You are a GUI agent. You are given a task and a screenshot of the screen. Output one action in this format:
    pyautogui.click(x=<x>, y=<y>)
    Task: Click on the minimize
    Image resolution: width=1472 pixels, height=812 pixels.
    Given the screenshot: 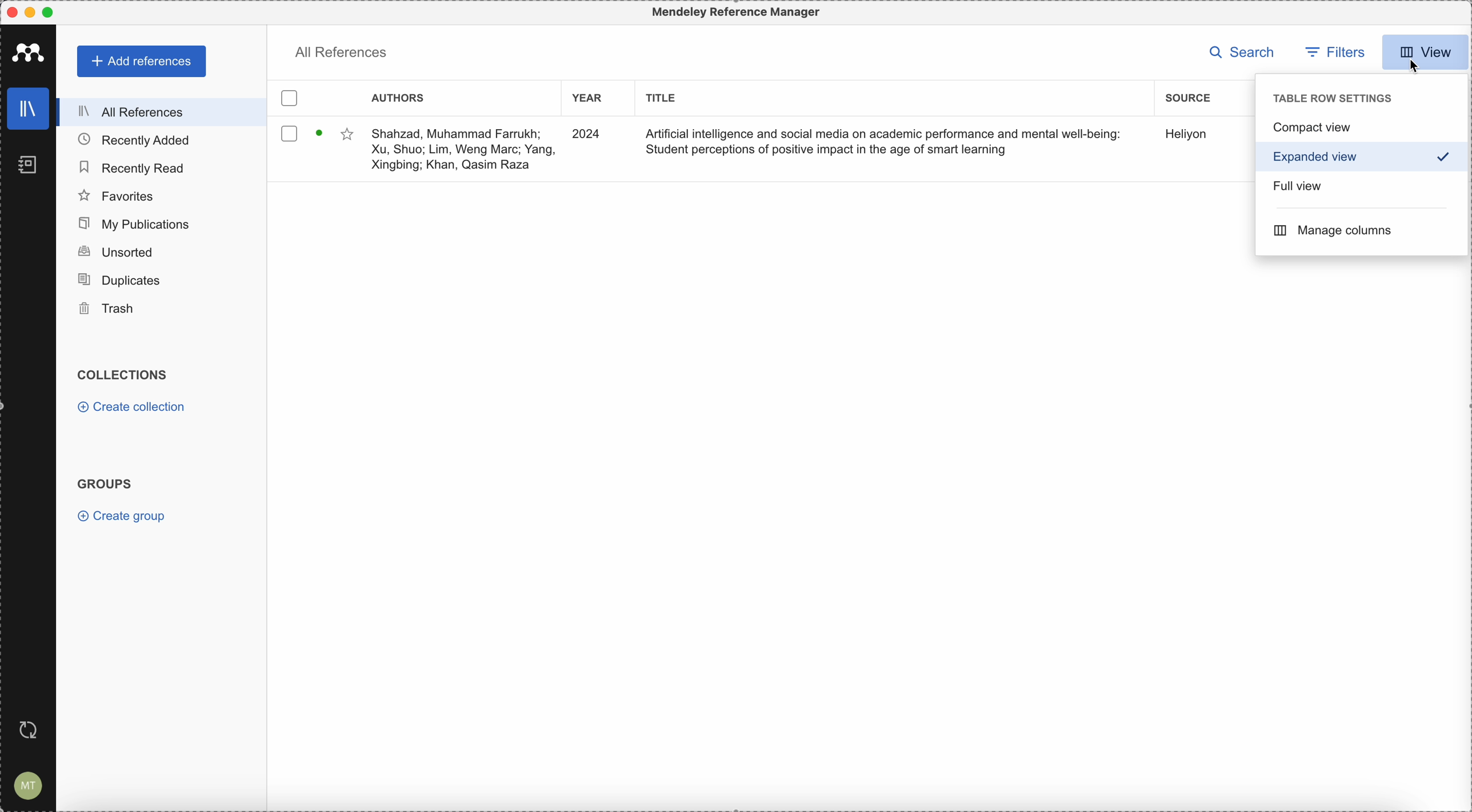 What is the action you would take?
    pyautogui.click(x=33, y=12)
    